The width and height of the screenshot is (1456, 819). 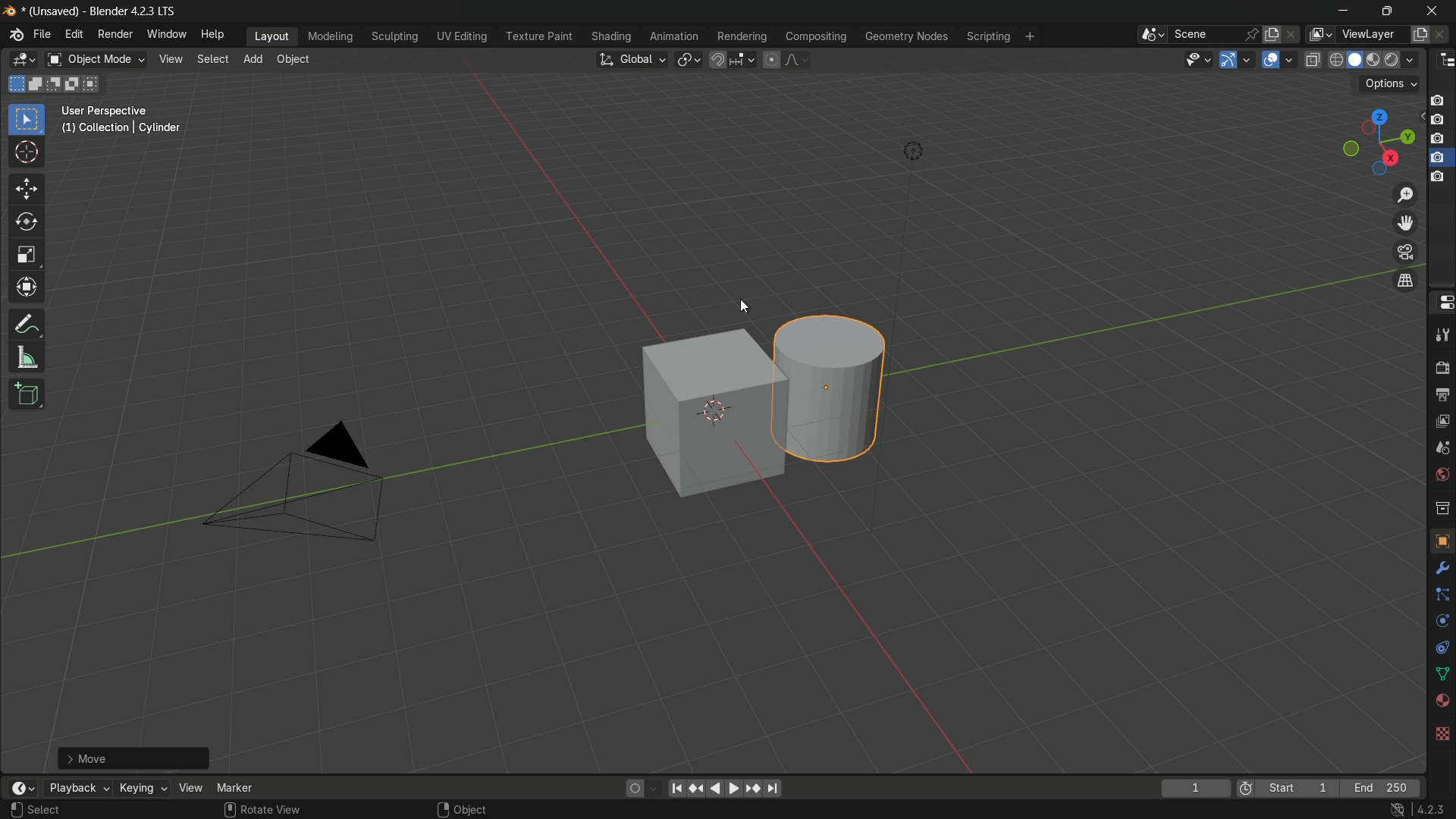 What do you see at coordinates (22, 784) in the screenshot?
I see `timeline` at bounding box center [22, 784].